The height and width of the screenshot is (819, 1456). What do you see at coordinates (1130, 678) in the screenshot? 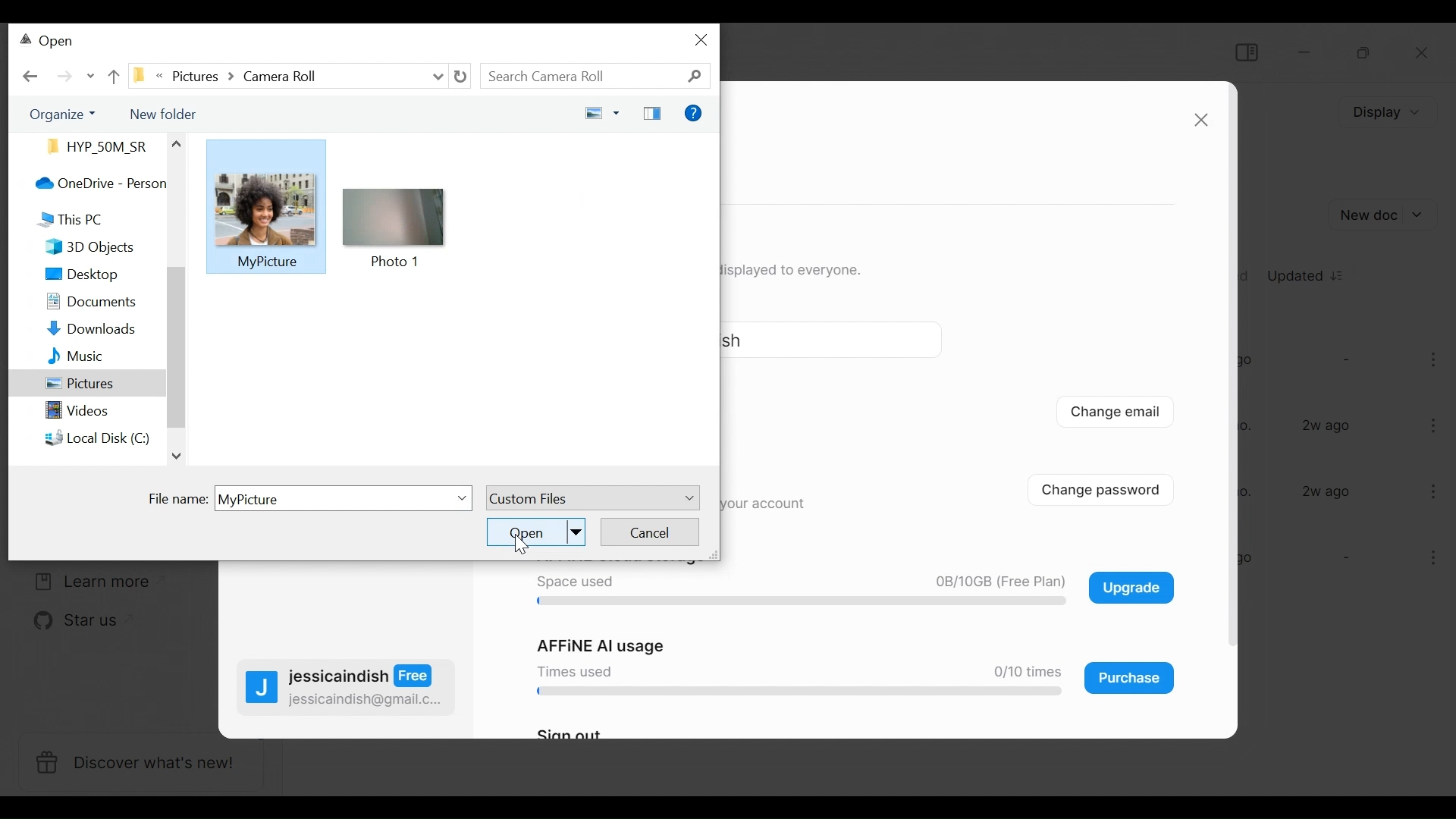
I see `Purchase` at bounding box center [1130, 678].